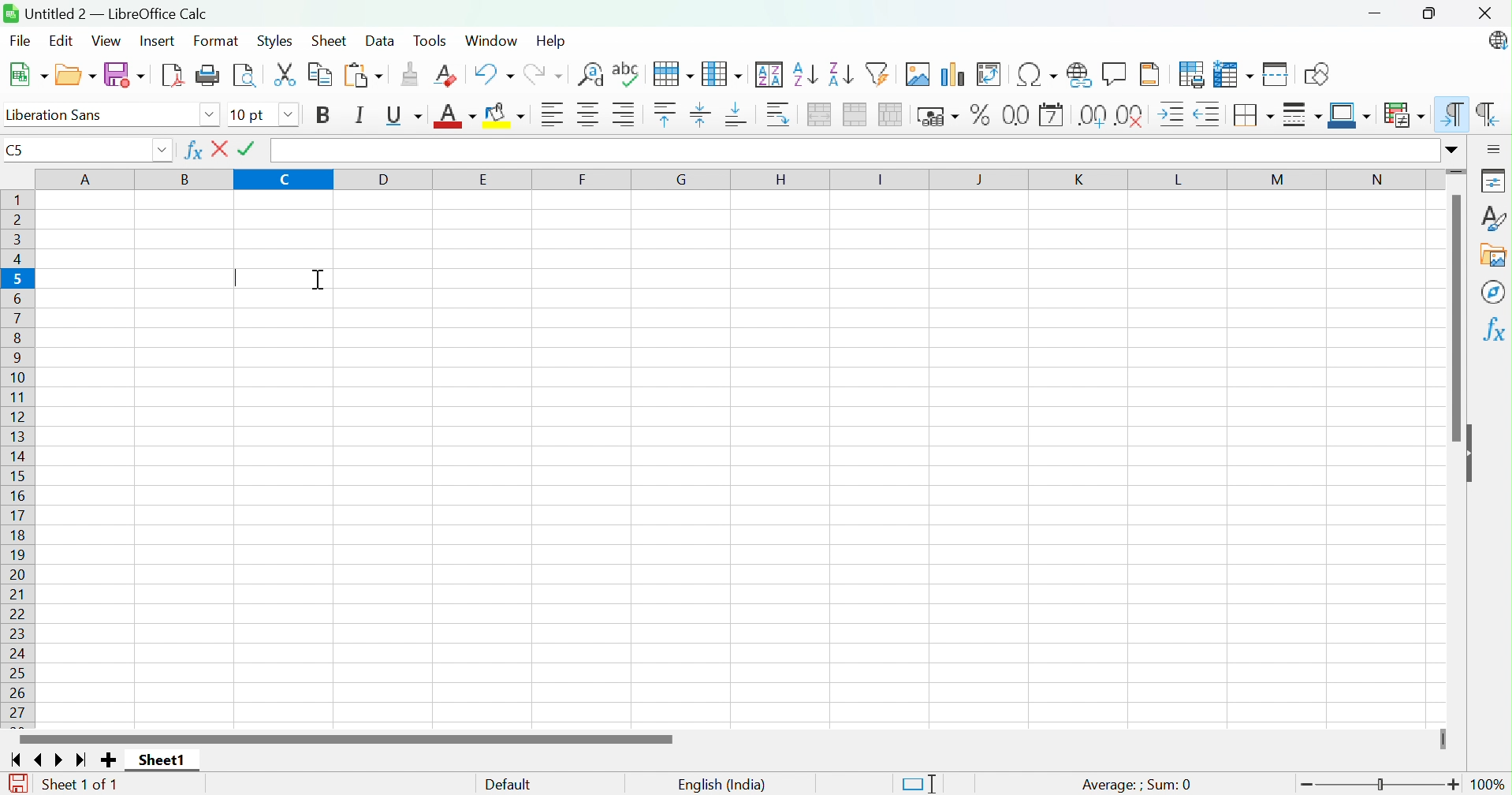 The height and width of the screenshot is (795, 1512). What do you see at coordinates (13, 784) in the screenshot?
I see `The document has been modified. Click to save the document` at bounding box center [13, 784].